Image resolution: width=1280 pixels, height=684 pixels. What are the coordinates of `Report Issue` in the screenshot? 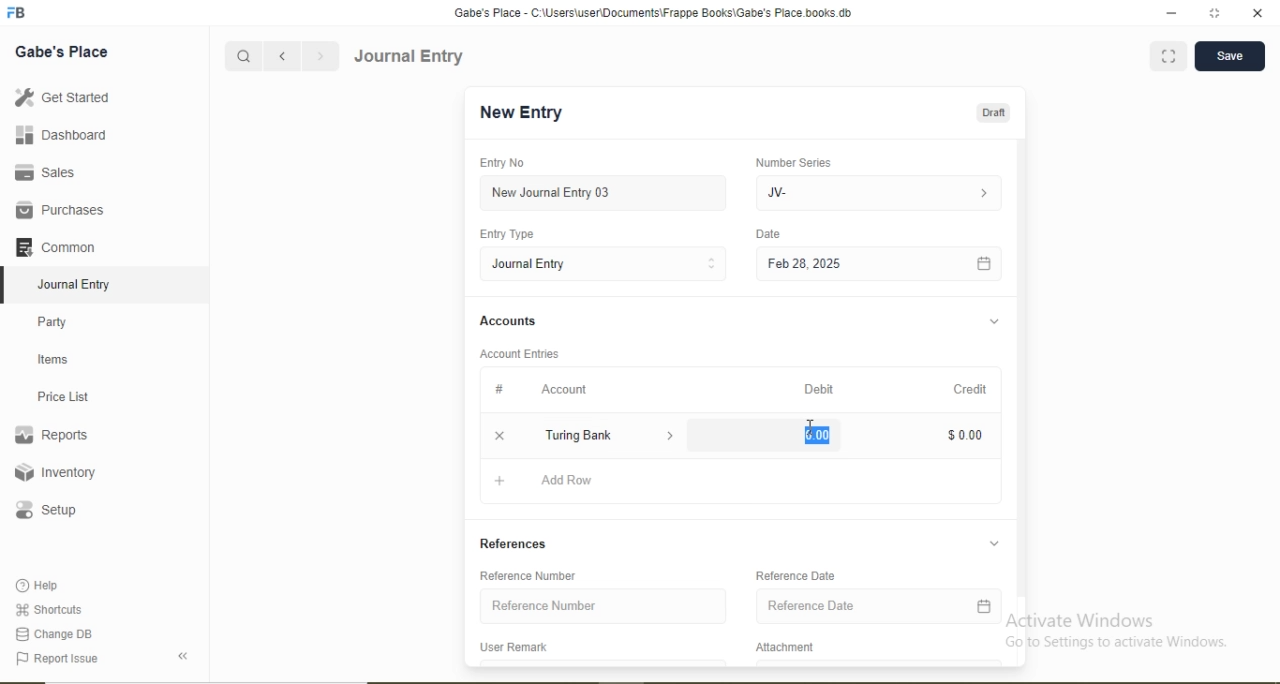 It's located at (56, 659).